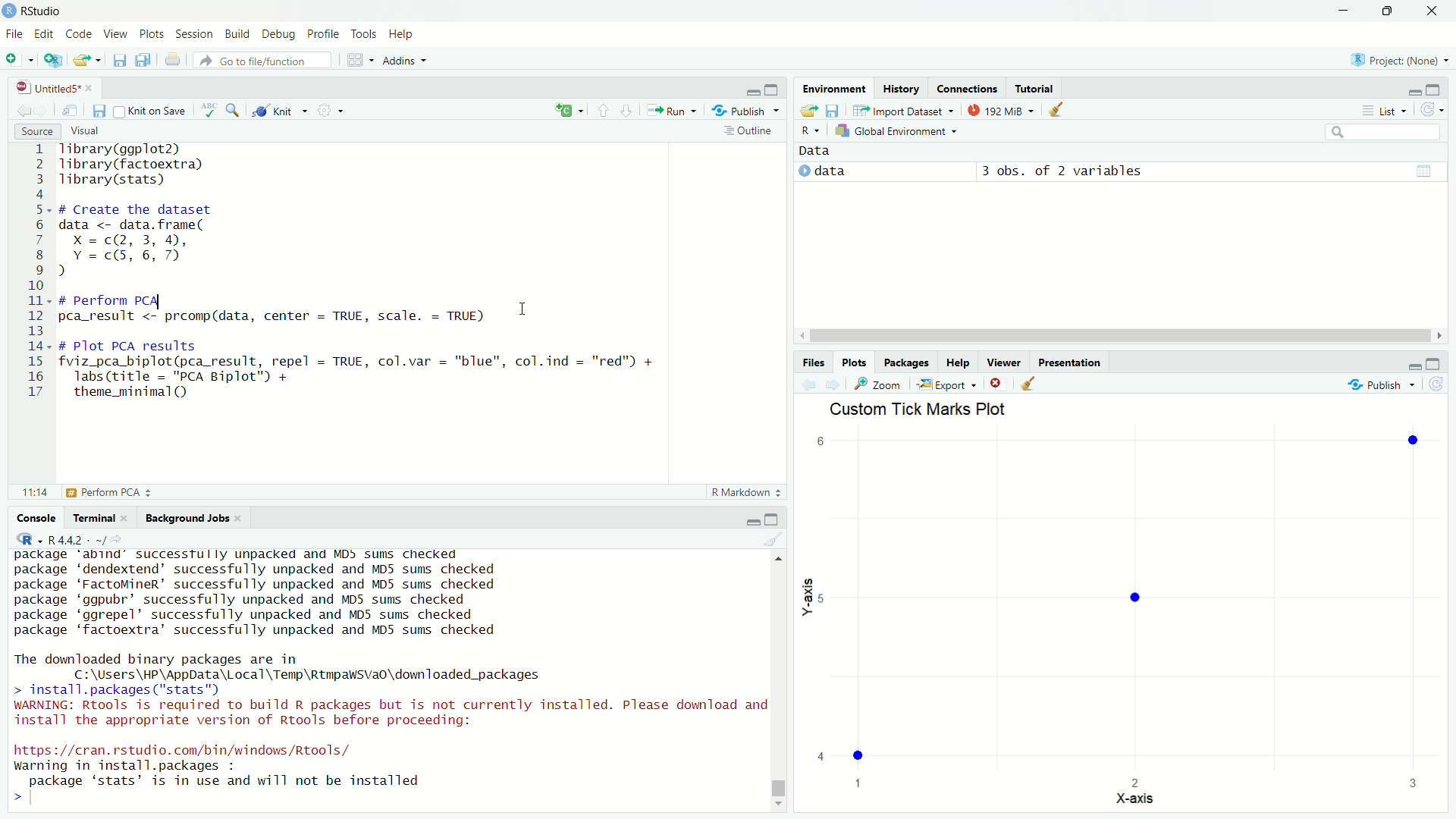 Image resolution: width=1456 pixels, height=819 pixels. I want to click on remove the current plot, so click(996, 383).